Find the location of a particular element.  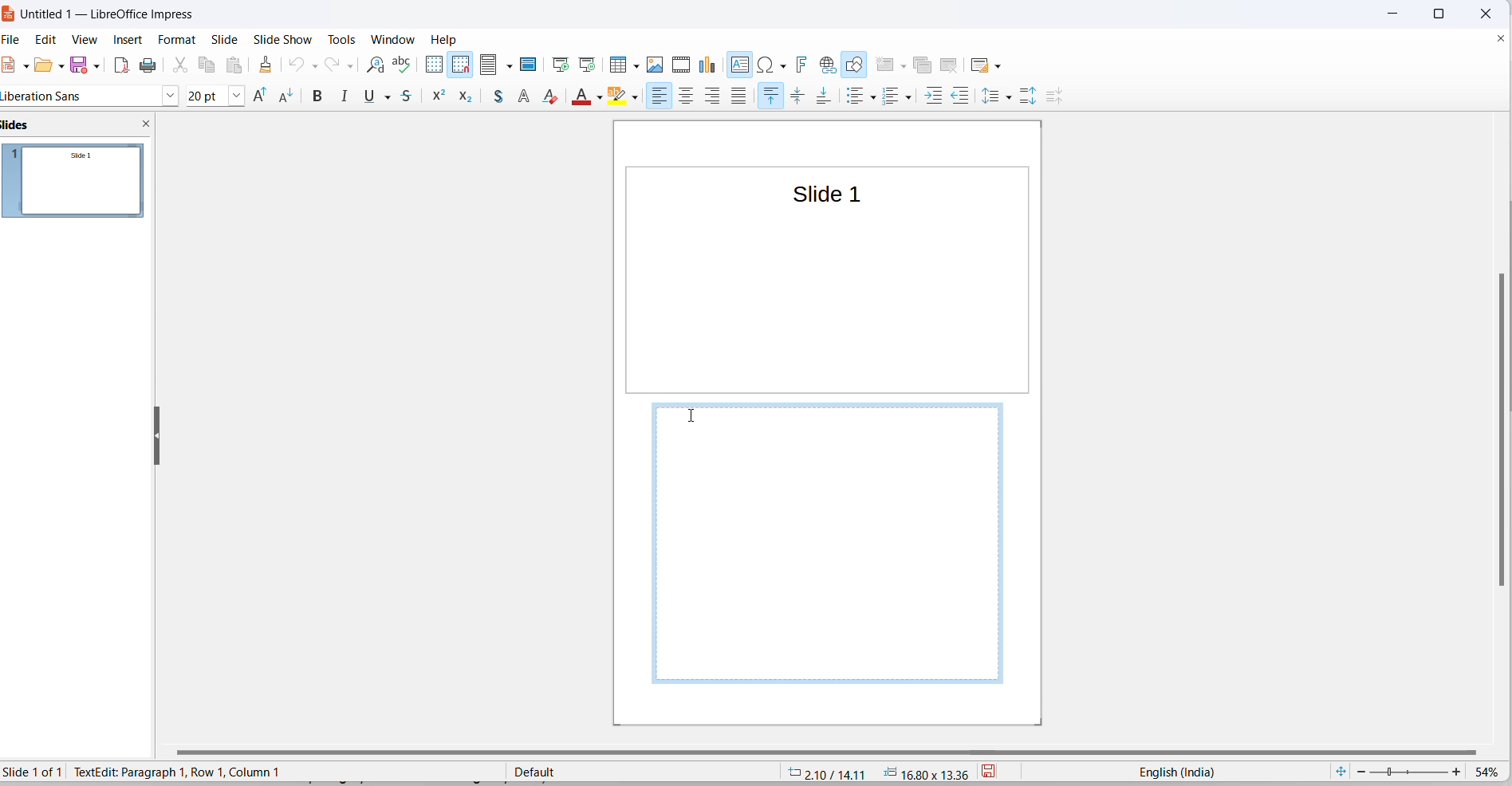

decrease zoom is located at coordinates (1360, 771).